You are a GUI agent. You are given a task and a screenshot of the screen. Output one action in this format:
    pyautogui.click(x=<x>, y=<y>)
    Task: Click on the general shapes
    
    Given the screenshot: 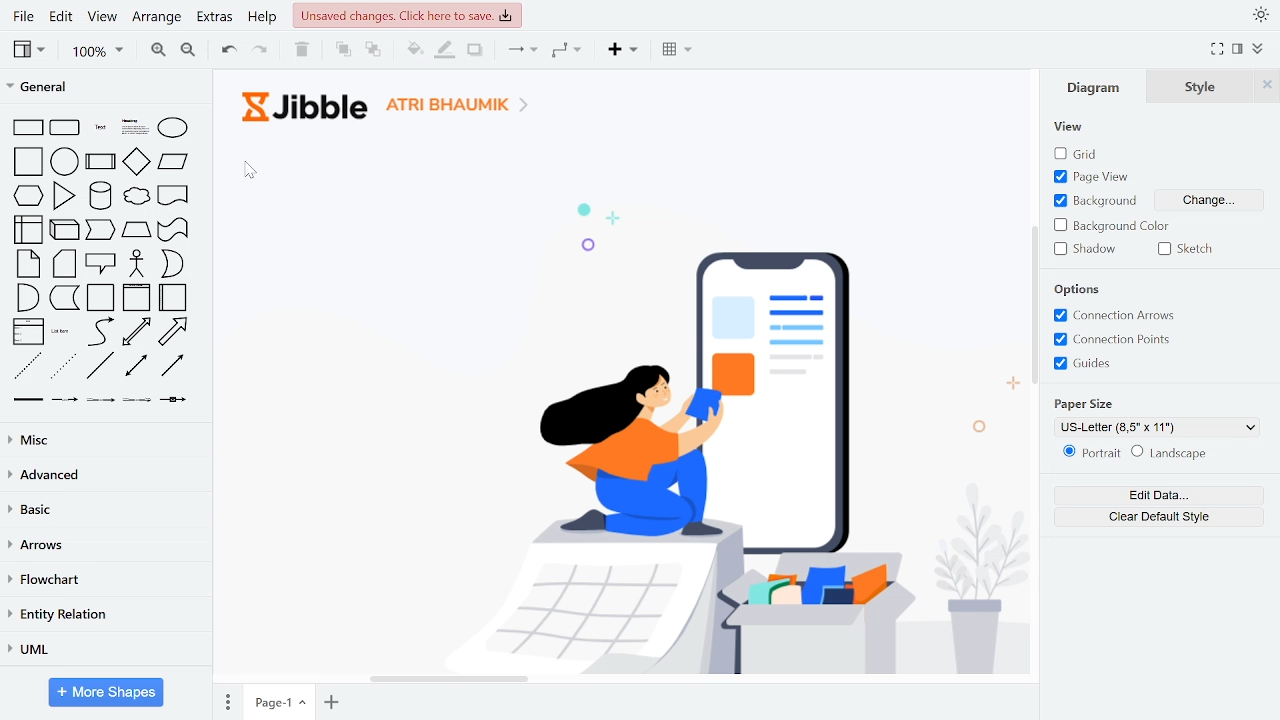 What is the action you would take?
    pyautogui.click(x=133, y=161)
    